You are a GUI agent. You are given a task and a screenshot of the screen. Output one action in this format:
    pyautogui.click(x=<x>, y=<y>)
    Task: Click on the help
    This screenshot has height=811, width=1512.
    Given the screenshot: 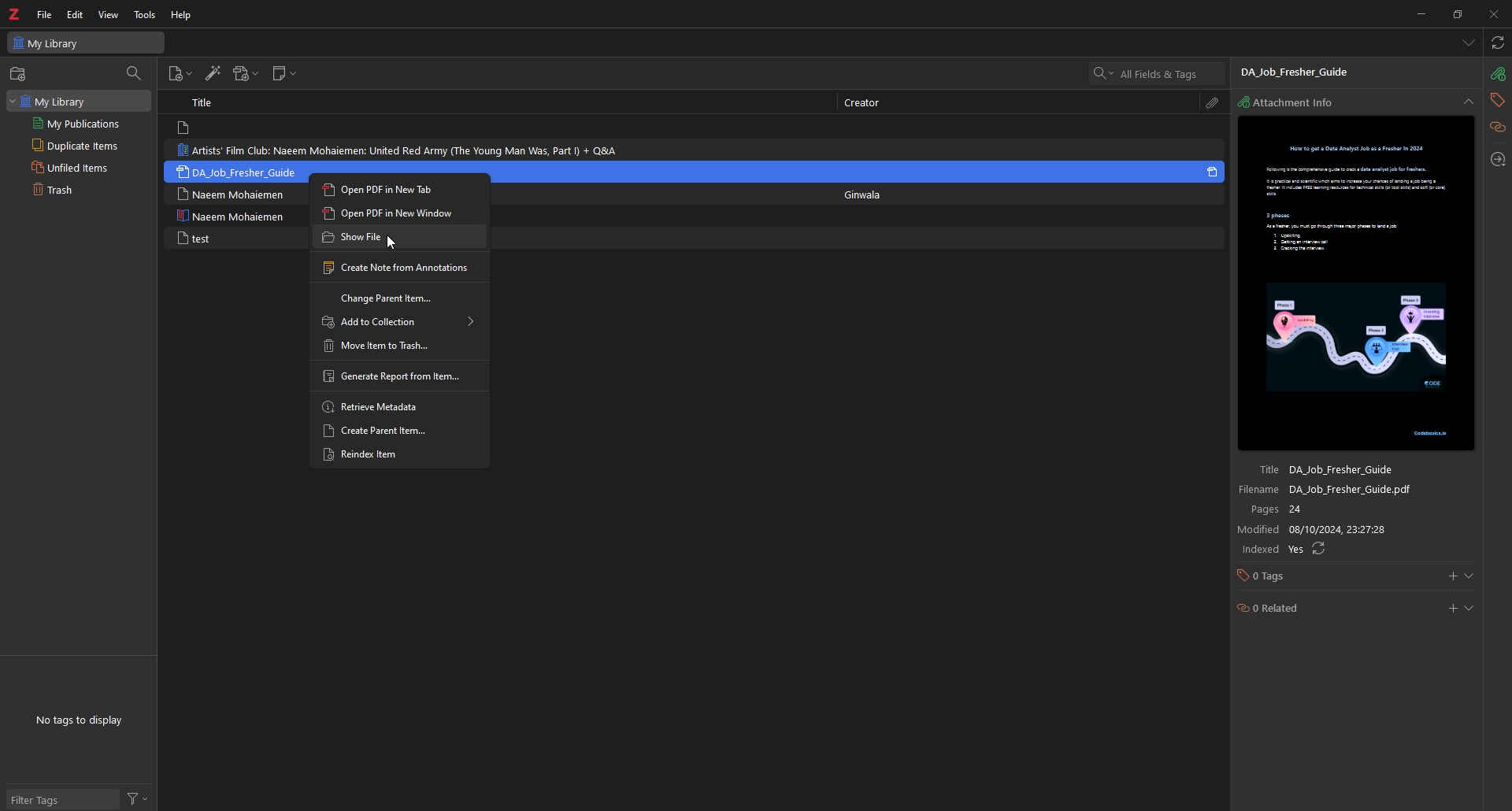 What is the action you would take?
    pyautogui.click(x=182, y=15)
    